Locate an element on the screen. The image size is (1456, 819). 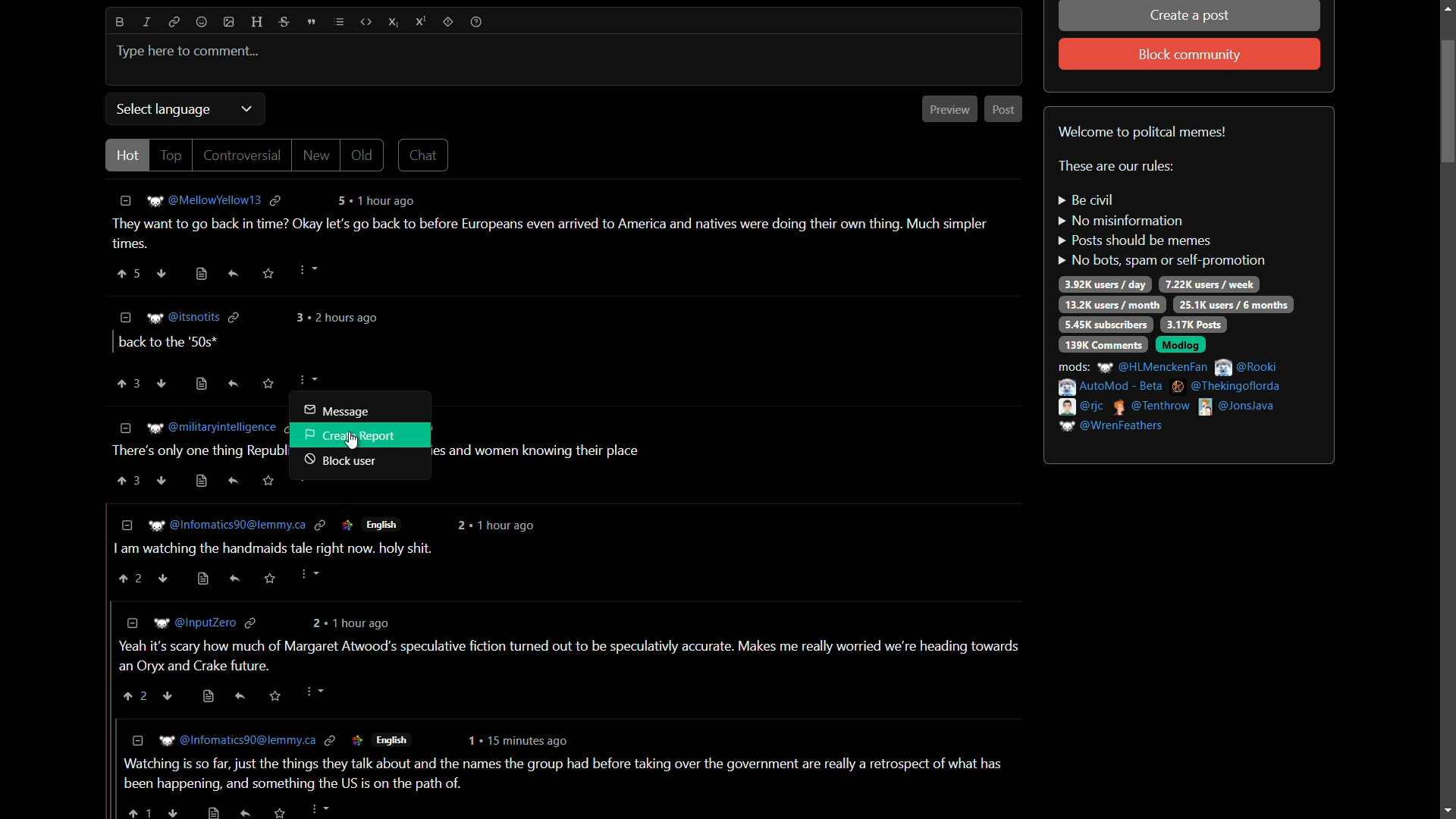
new is located at coordinates (318, 155).